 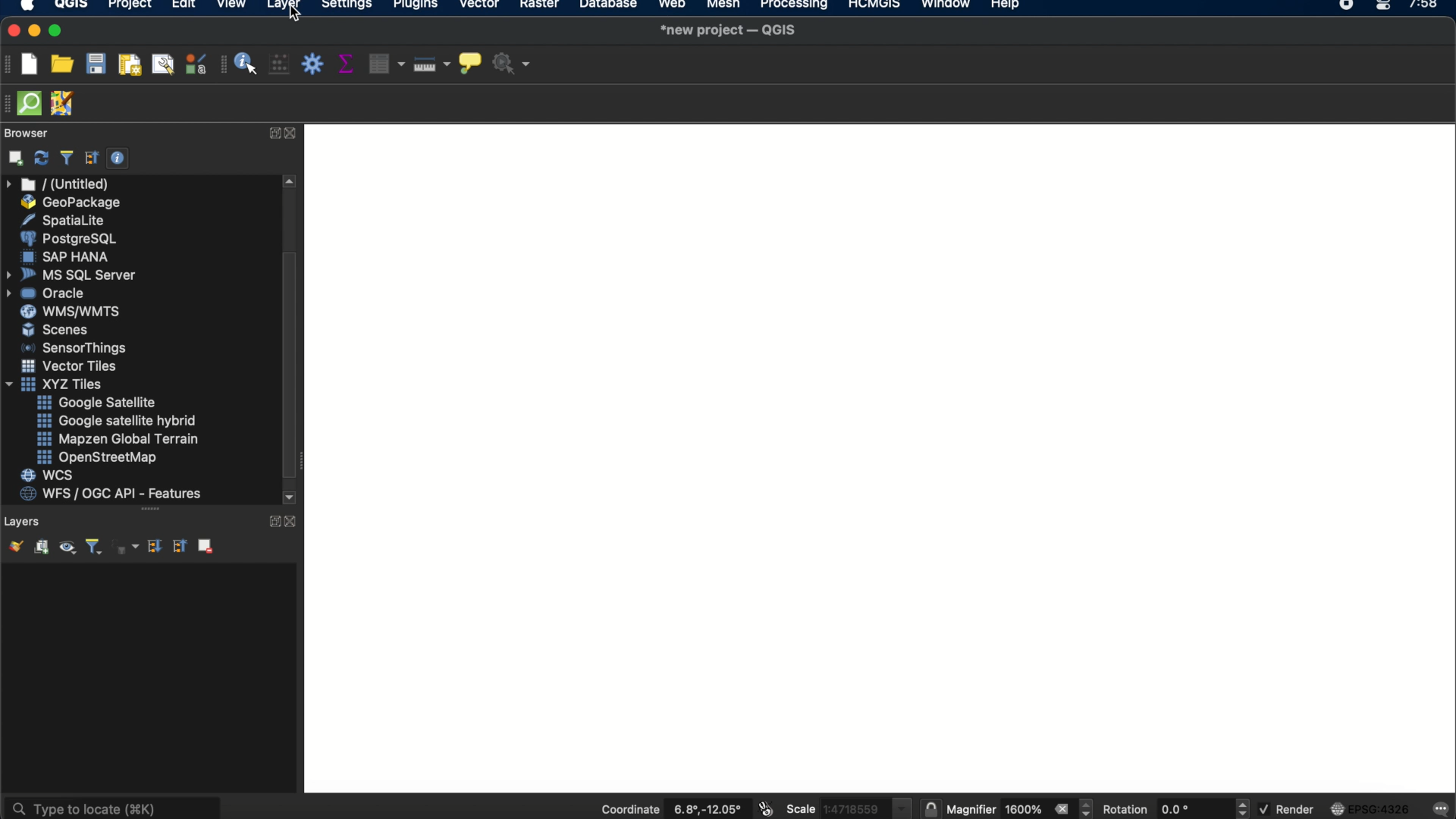 What do you see at coordinates (673, 6) in the screenshot?
I see `web` at bounding box center [673, 6].